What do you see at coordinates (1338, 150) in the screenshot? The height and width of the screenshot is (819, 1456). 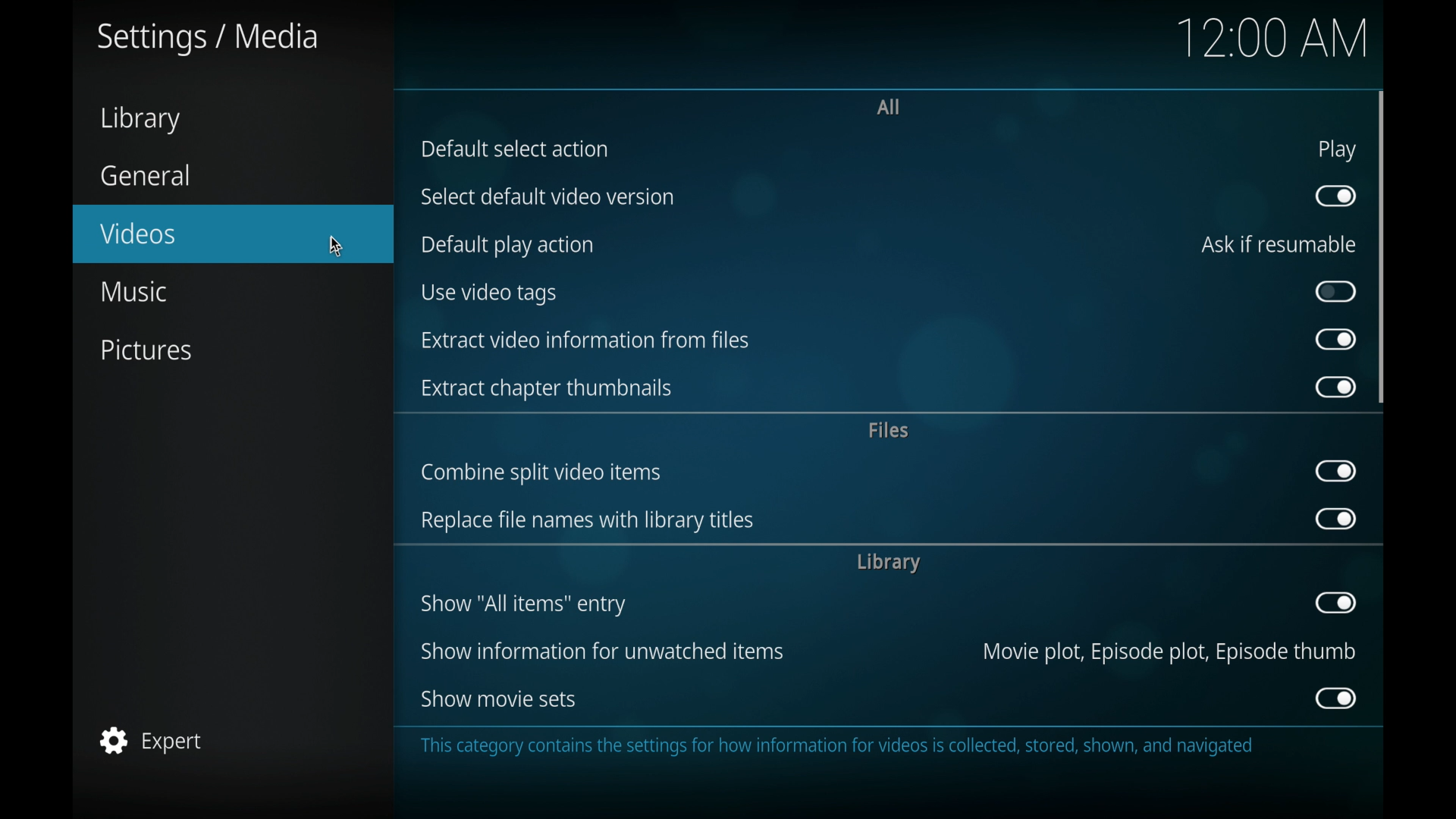 I see `play` at bounding box center [1338, 150].